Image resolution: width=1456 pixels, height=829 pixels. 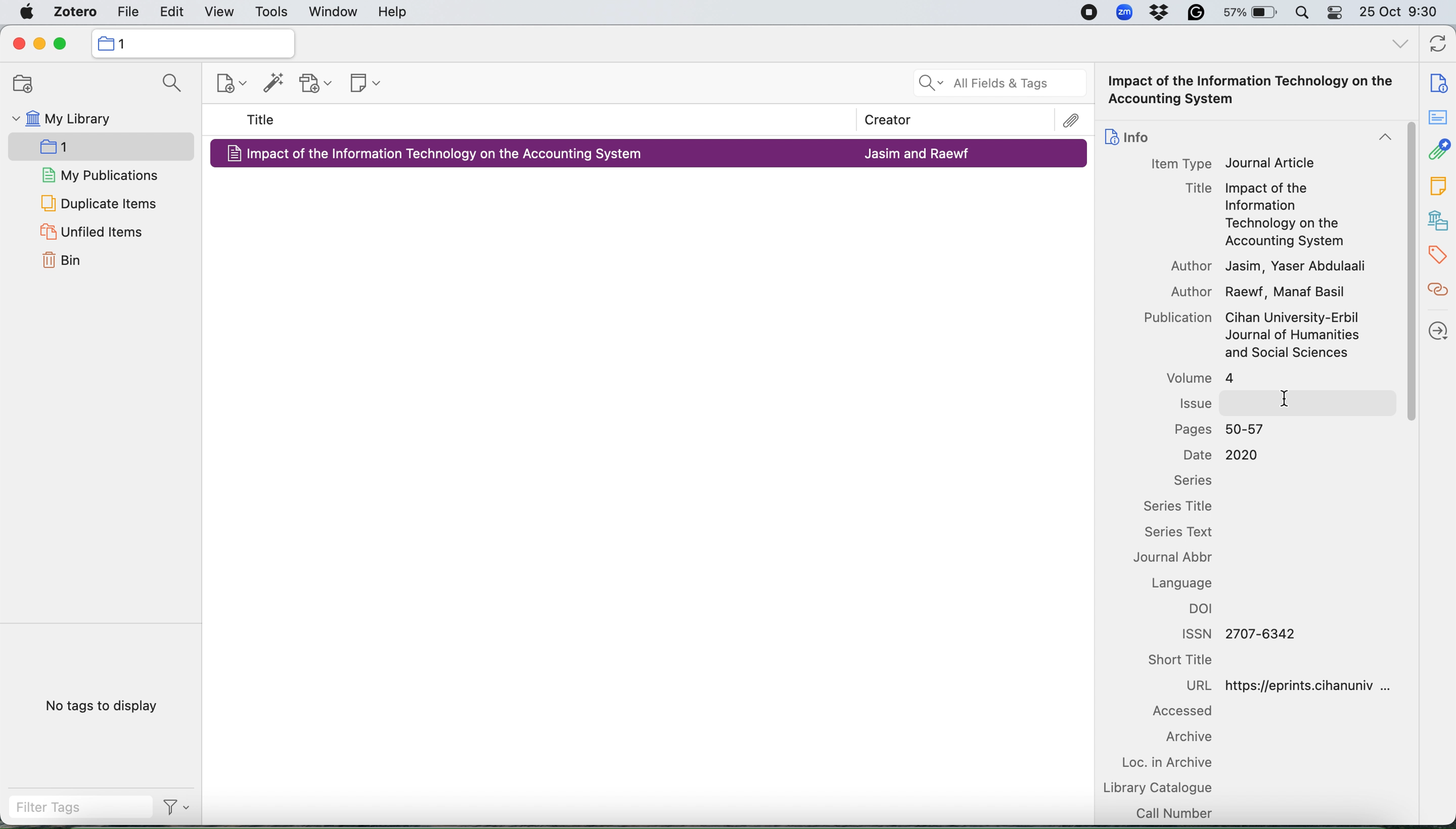 What do you see at coordinates (1305, 404) in the screenshot?
I see `Input field` at bounding box center [1305, 404].